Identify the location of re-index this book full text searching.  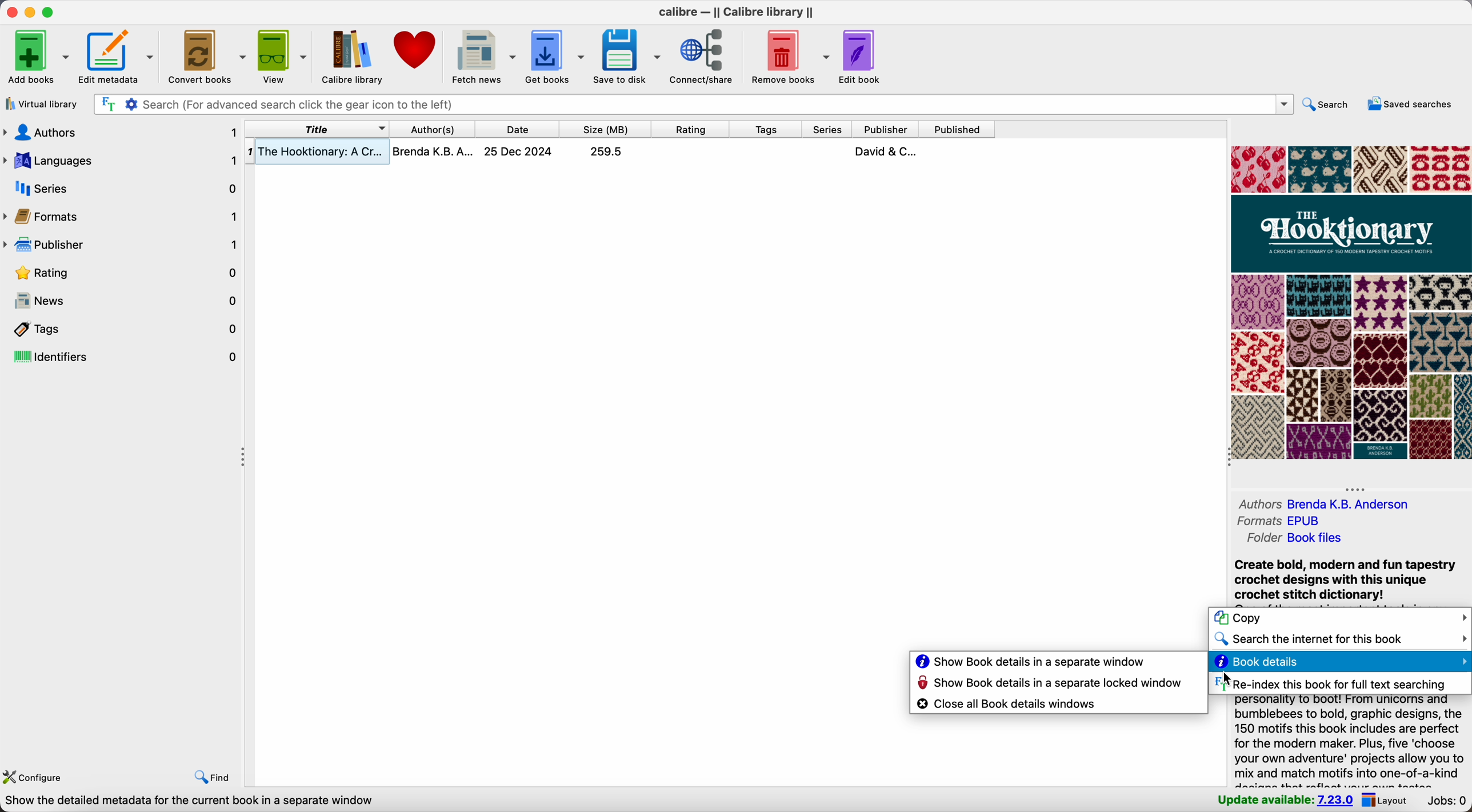
(1329, 683).